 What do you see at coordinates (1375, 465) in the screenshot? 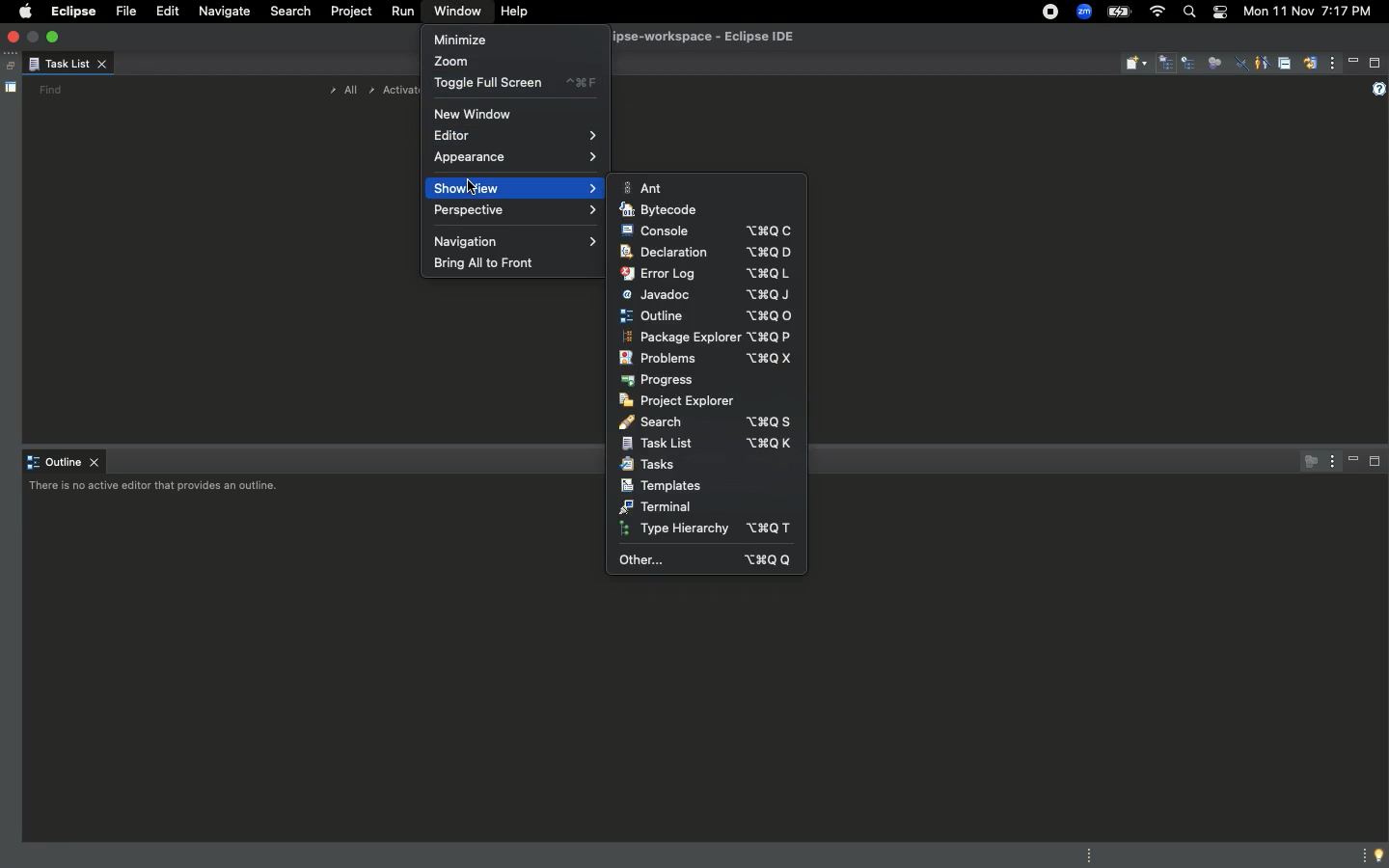
I see `Maximize` at bounding box center [1375, 465].